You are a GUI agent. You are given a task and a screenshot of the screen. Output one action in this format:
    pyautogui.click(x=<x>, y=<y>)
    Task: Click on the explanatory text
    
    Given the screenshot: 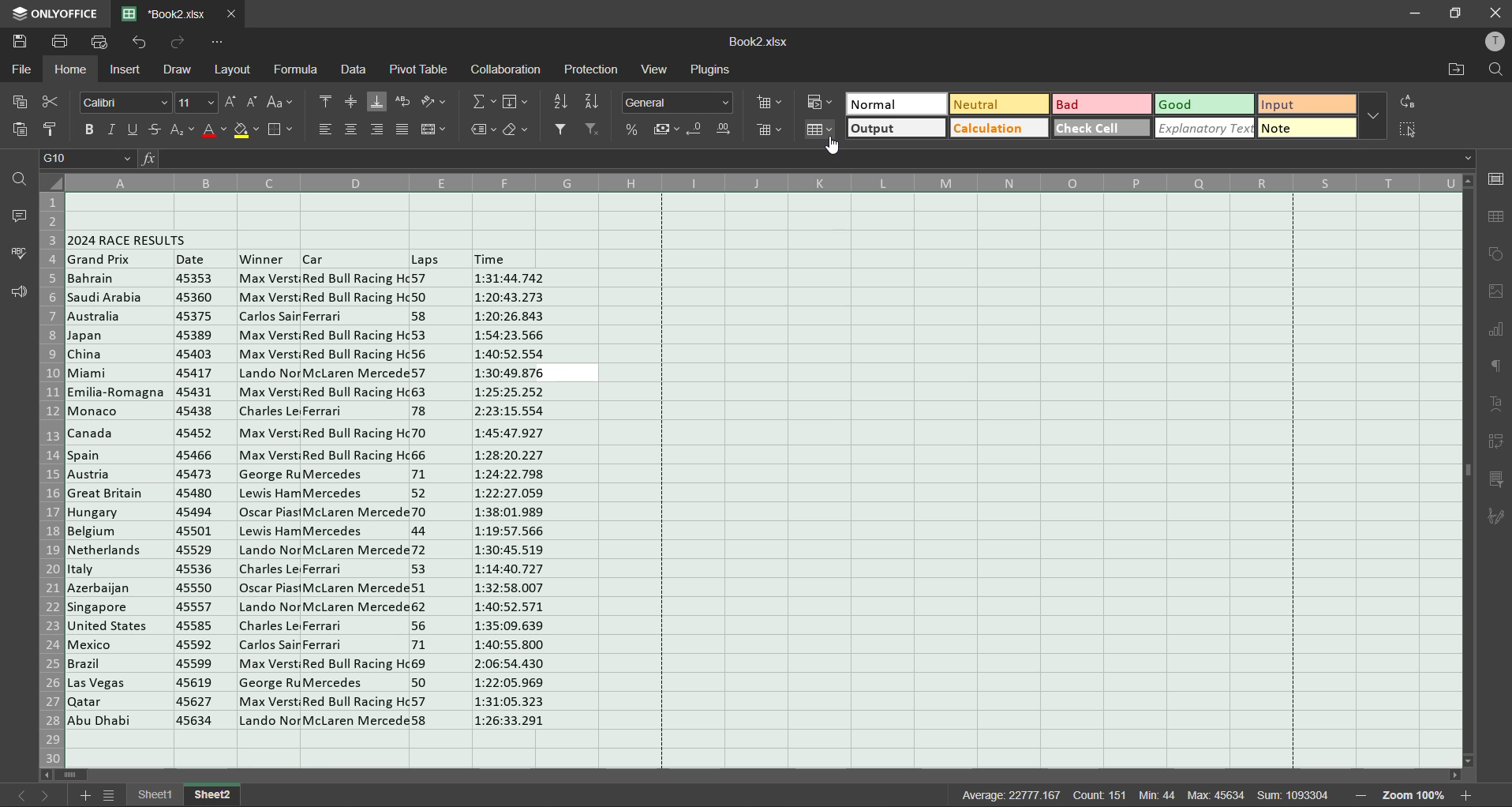 What is the action you would take?
    pyautogui.click(x=1207, y=128)
    